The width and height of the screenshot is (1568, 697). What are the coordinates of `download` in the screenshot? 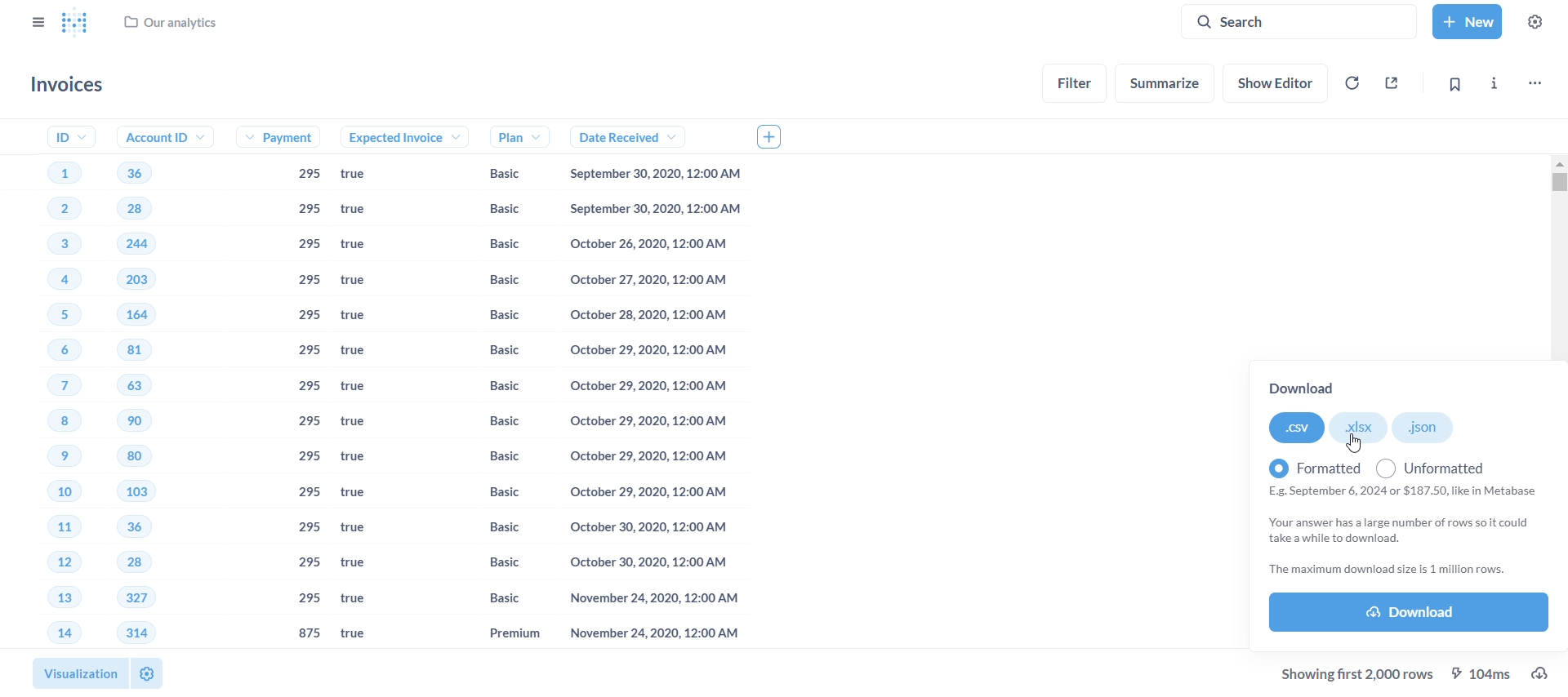 It's located at (1308, 389).